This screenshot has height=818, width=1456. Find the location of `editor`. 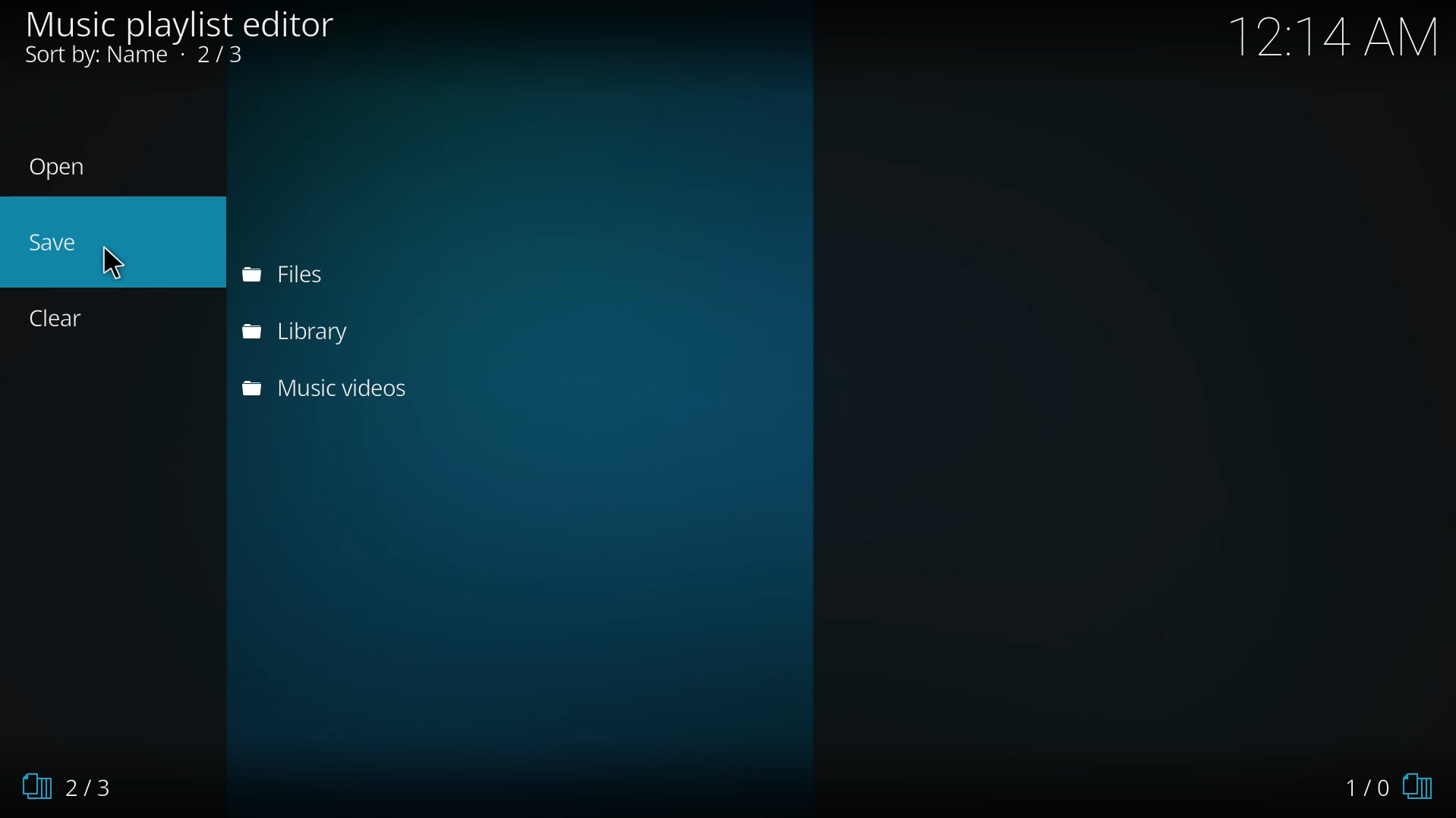

editor is located at coordinates (178, 24).